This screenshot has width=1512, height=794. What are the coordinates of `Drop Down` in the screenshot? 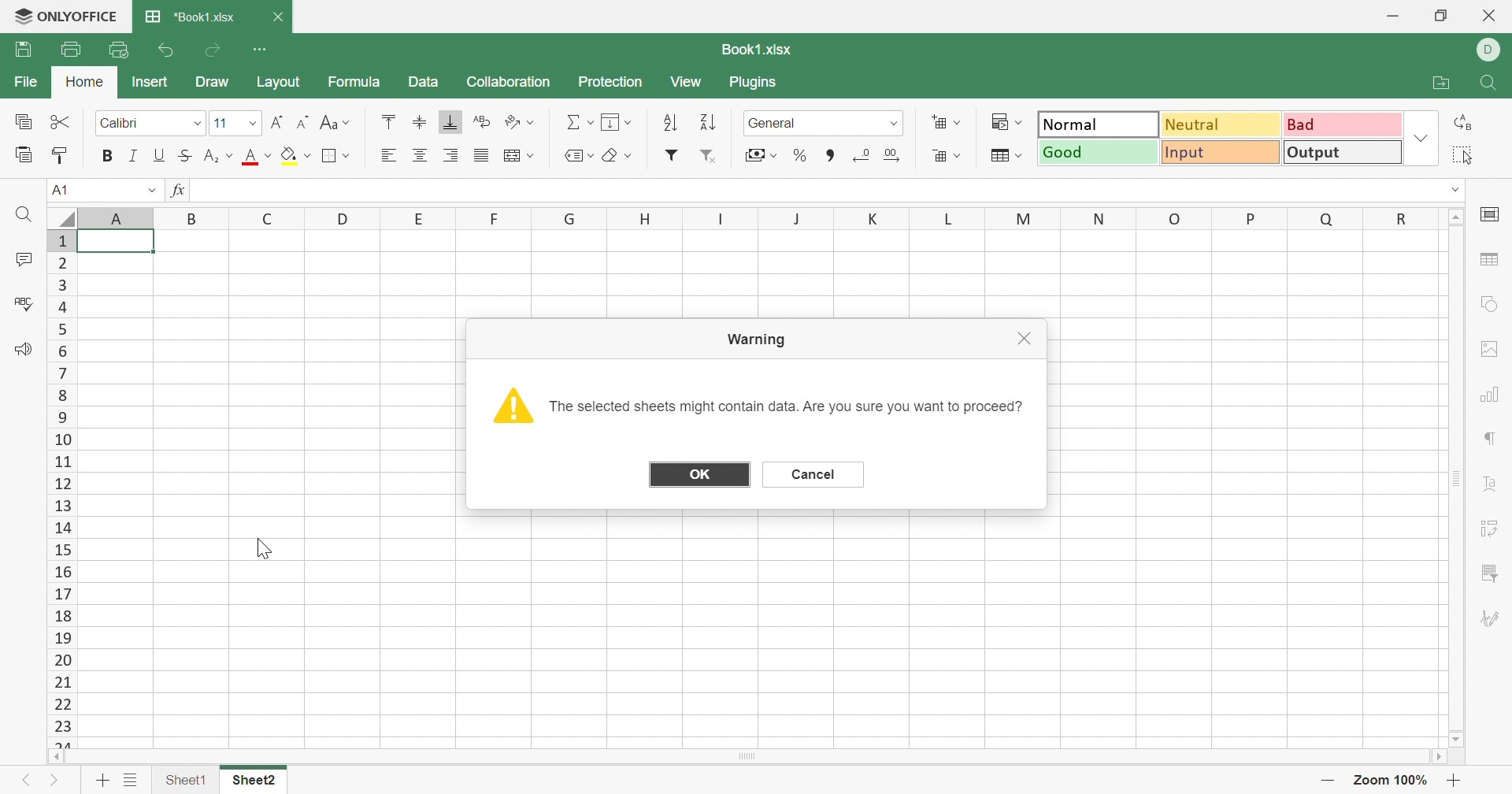 It's located at (1023, 155).